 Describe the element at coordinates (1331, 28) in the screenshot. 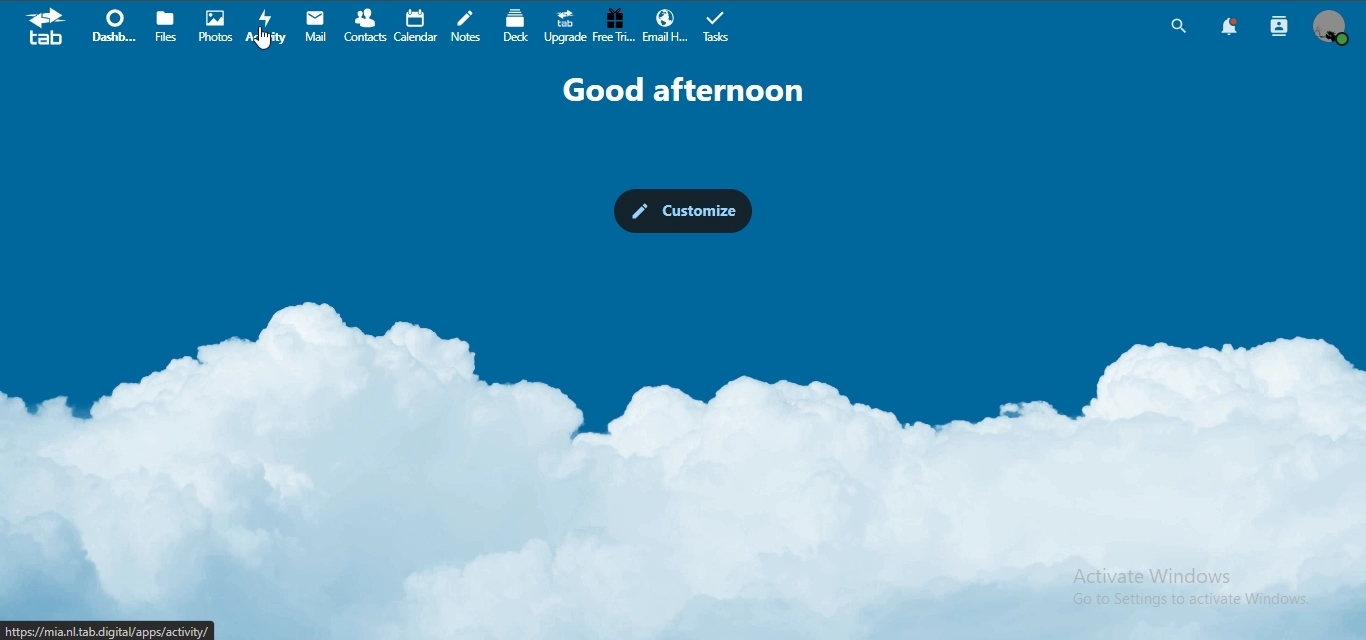

I see `view profile` at that location.